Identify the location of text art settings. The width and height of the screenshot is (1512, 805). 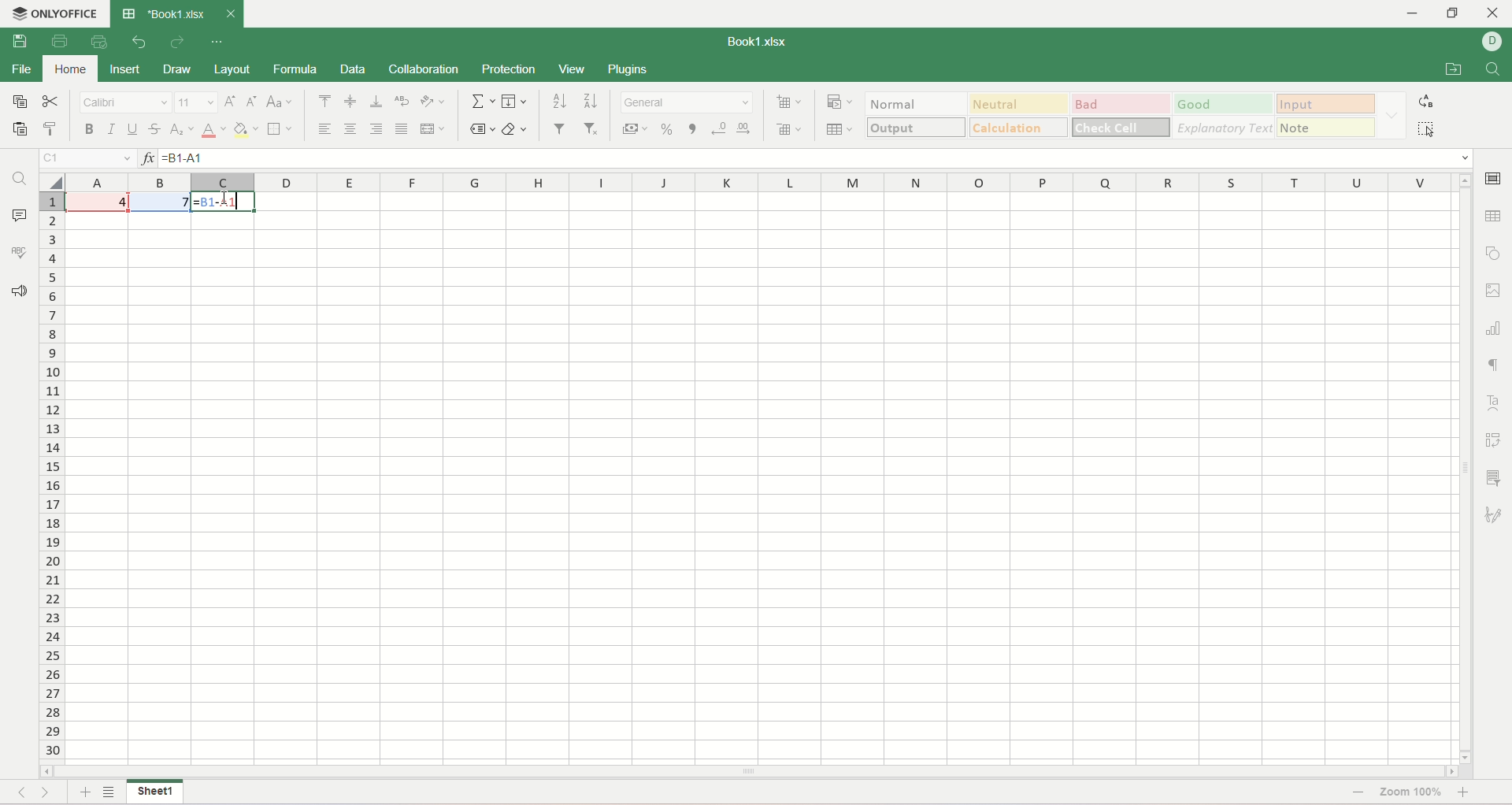
(1492, 403).